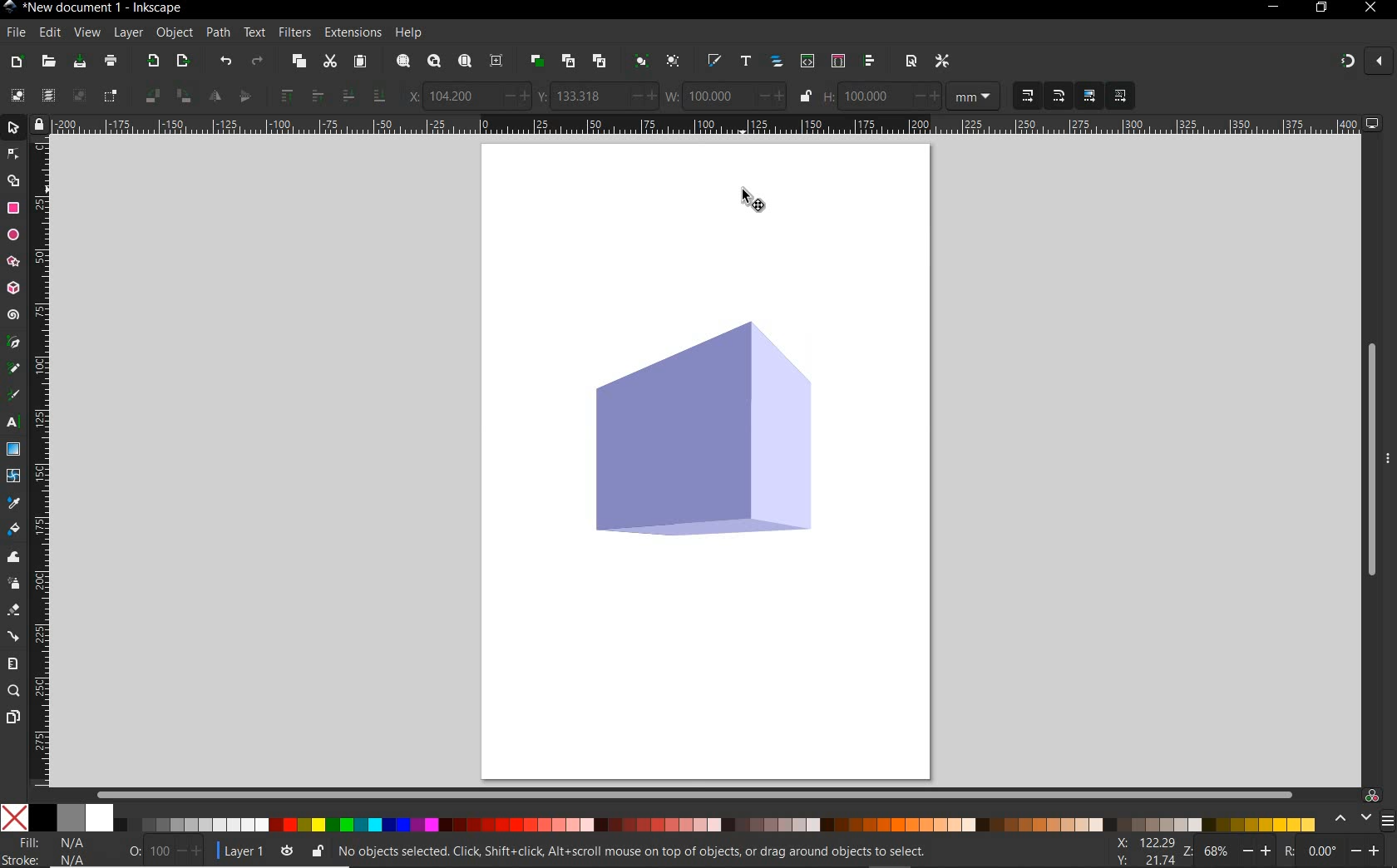 This screenshot has width=1397, height=868. Describe the element at coordinates (47, 62) in the screenshot. I see `open file dialog` at that location.